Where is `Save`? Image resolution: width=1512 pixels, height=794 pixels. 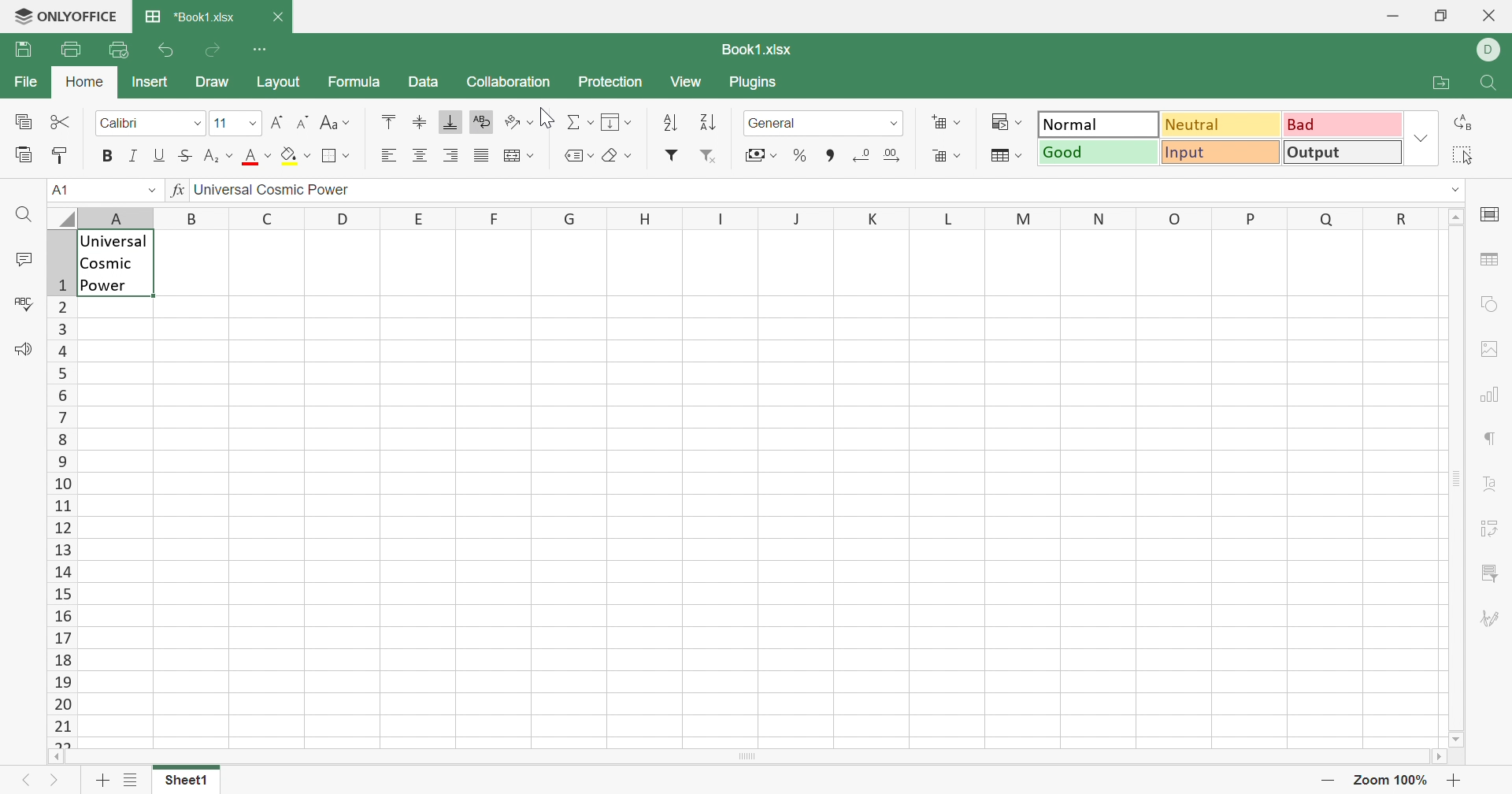
Save is located at coordinates (24, 49).